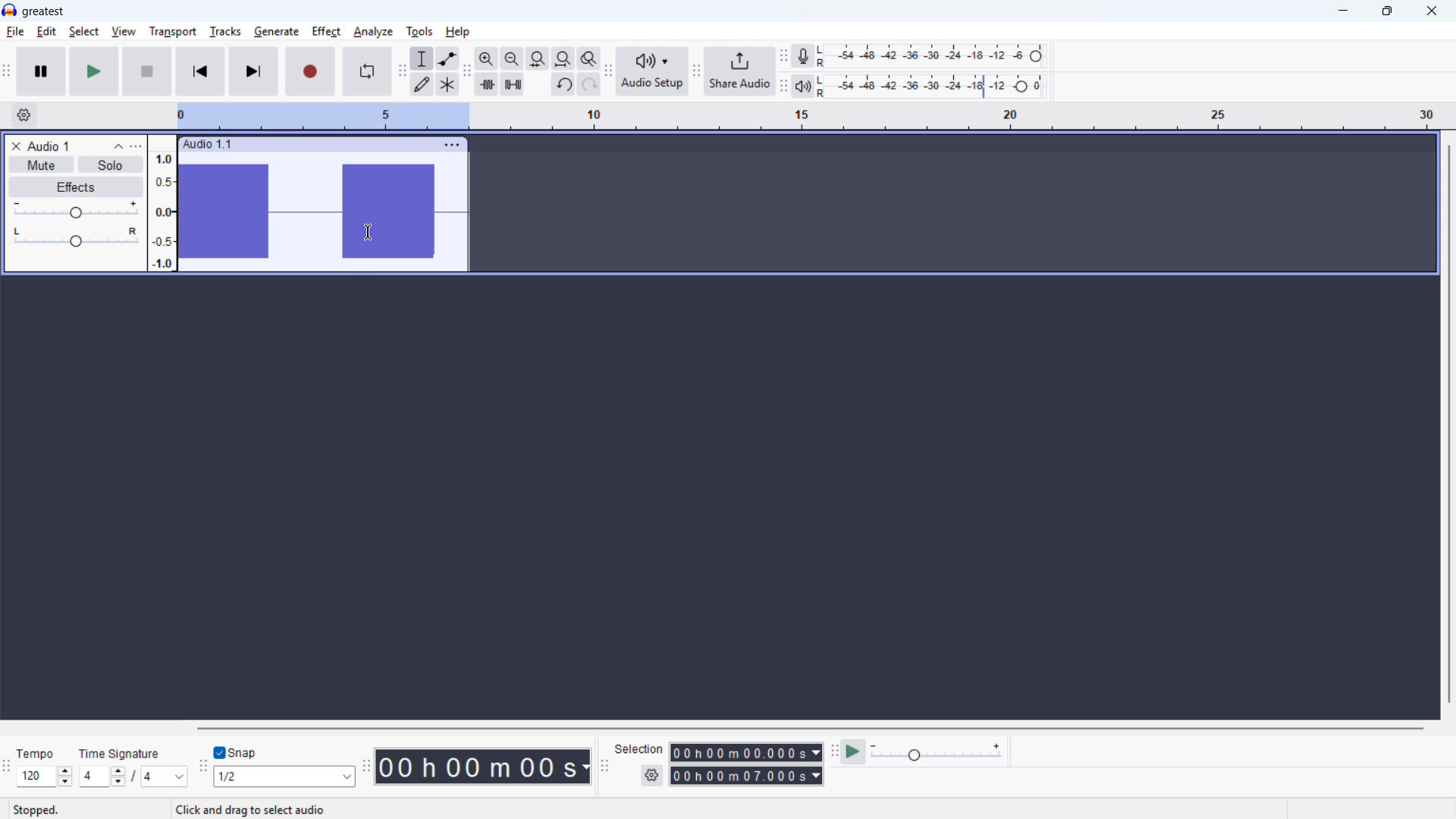  Describe the element at coordinates (8, 770) in the screenshot. I see `Time signature toolbar ` at that location.